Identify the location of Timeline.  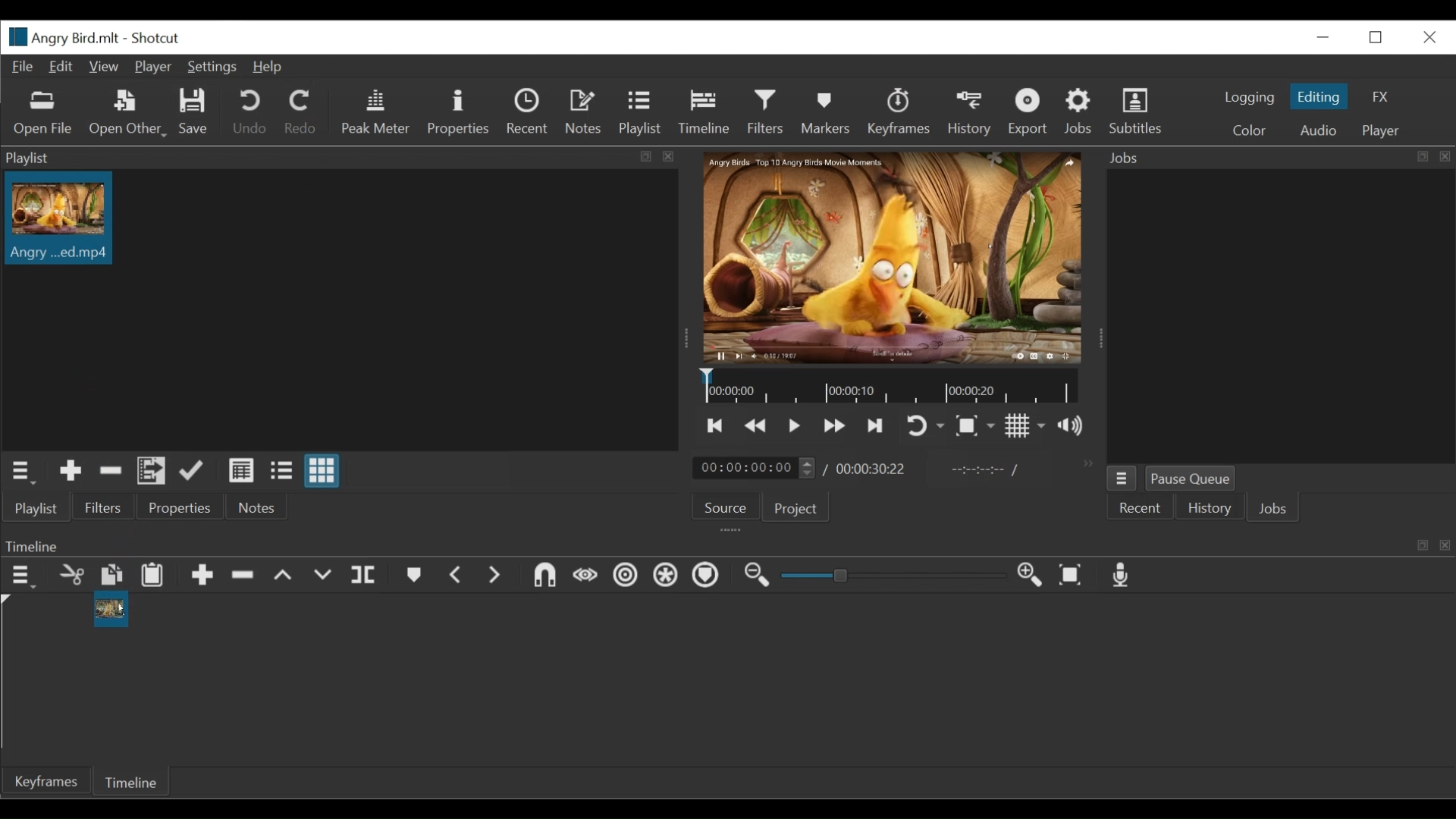
(890, 387).